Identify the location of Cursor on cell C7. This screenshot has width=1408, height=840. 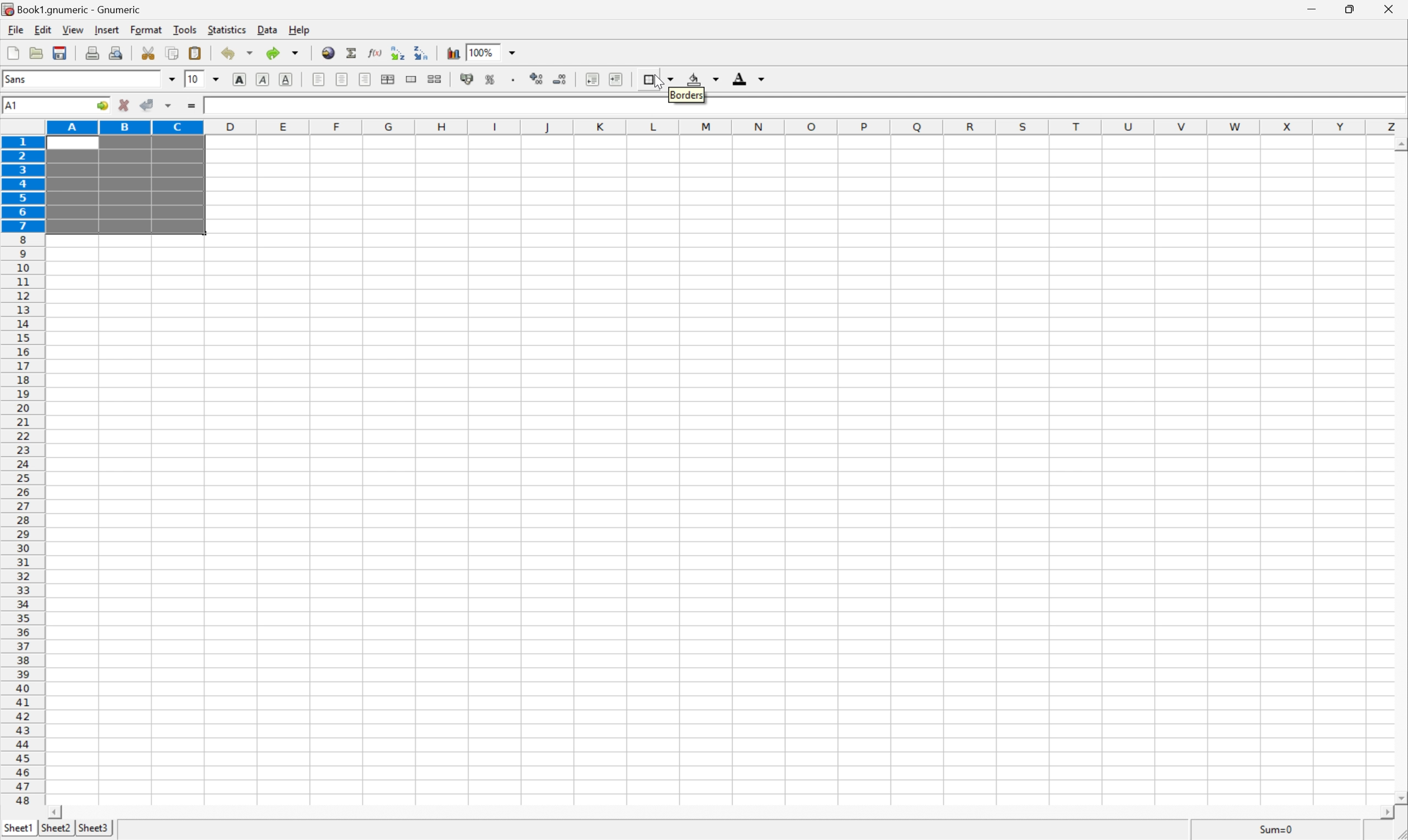
(176, 226).